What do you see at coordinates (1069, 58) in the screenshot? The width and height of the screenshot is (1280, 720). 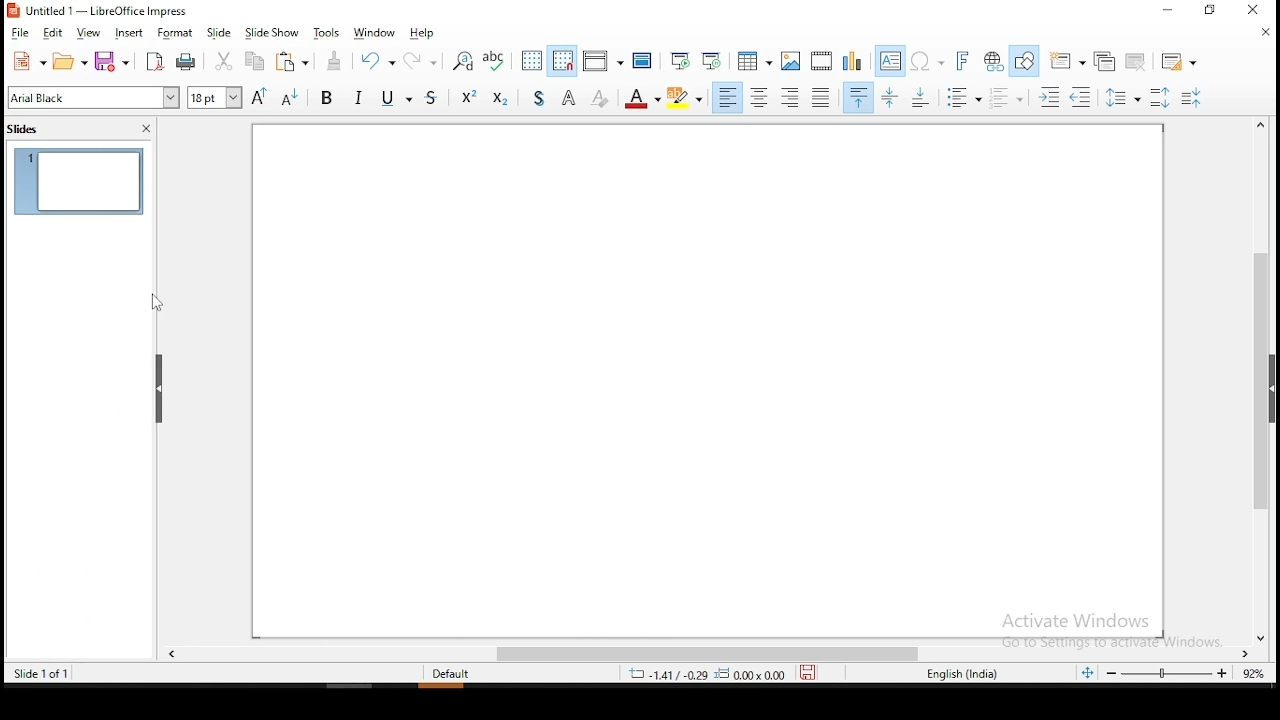 I see `new slide` at bounding box center [1069, 58].